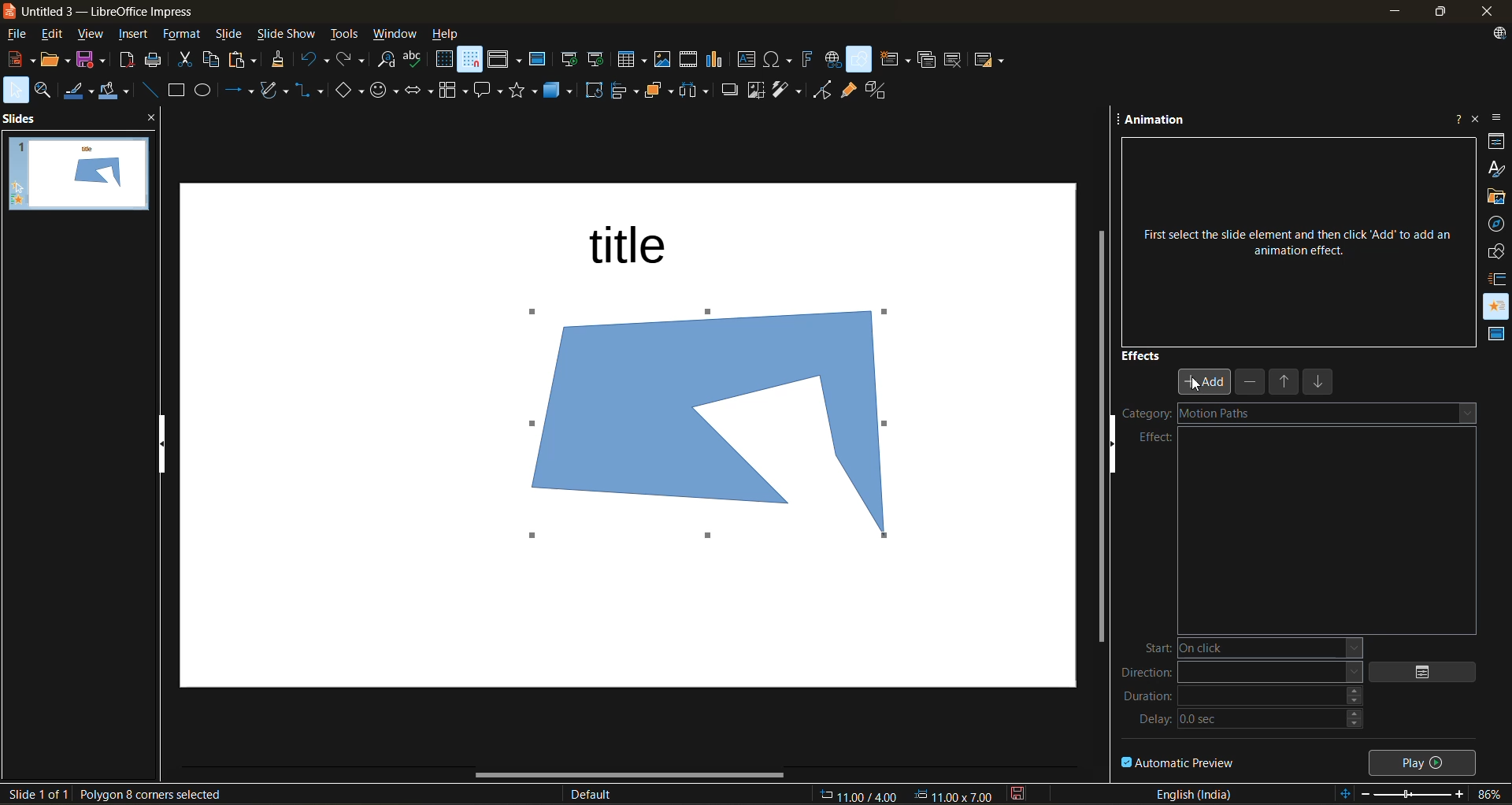 Image resolution: width=1512 pixels, height=805 pixels. What do you see at coordinates (1096, 434) in the screenshot?
I see `vertical scroll bar` at bounding box center [1096, 434].